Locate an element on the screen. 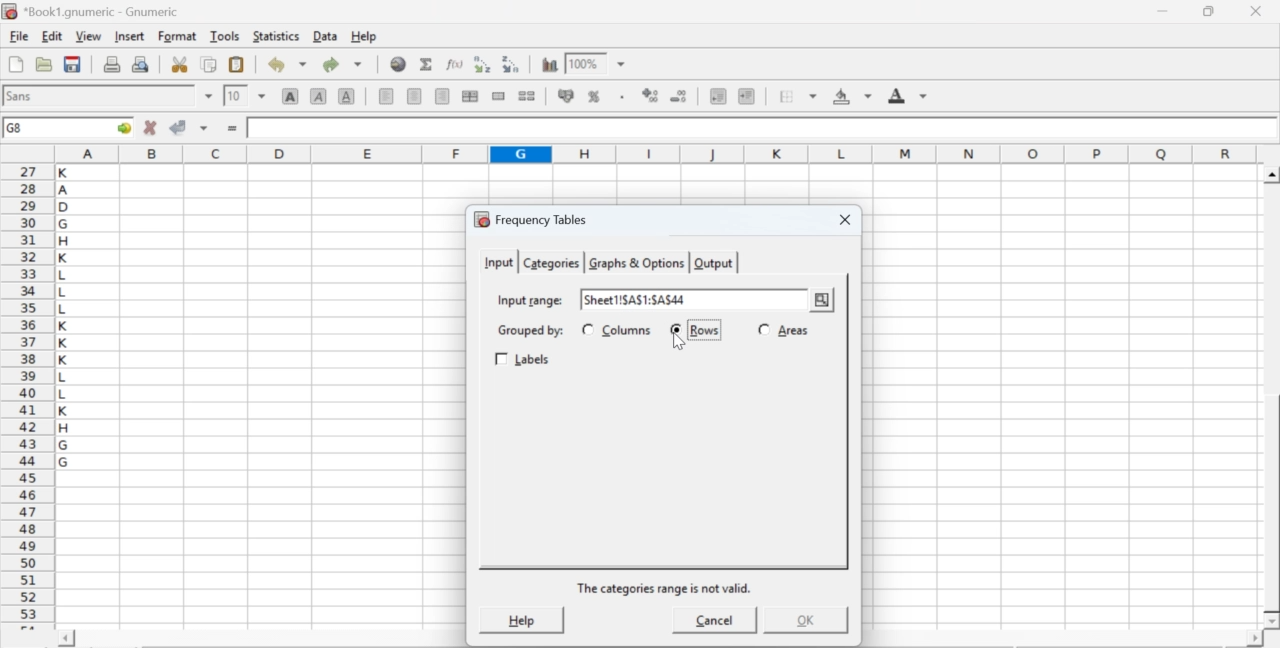  input range: is located at coordinates (529, 299).